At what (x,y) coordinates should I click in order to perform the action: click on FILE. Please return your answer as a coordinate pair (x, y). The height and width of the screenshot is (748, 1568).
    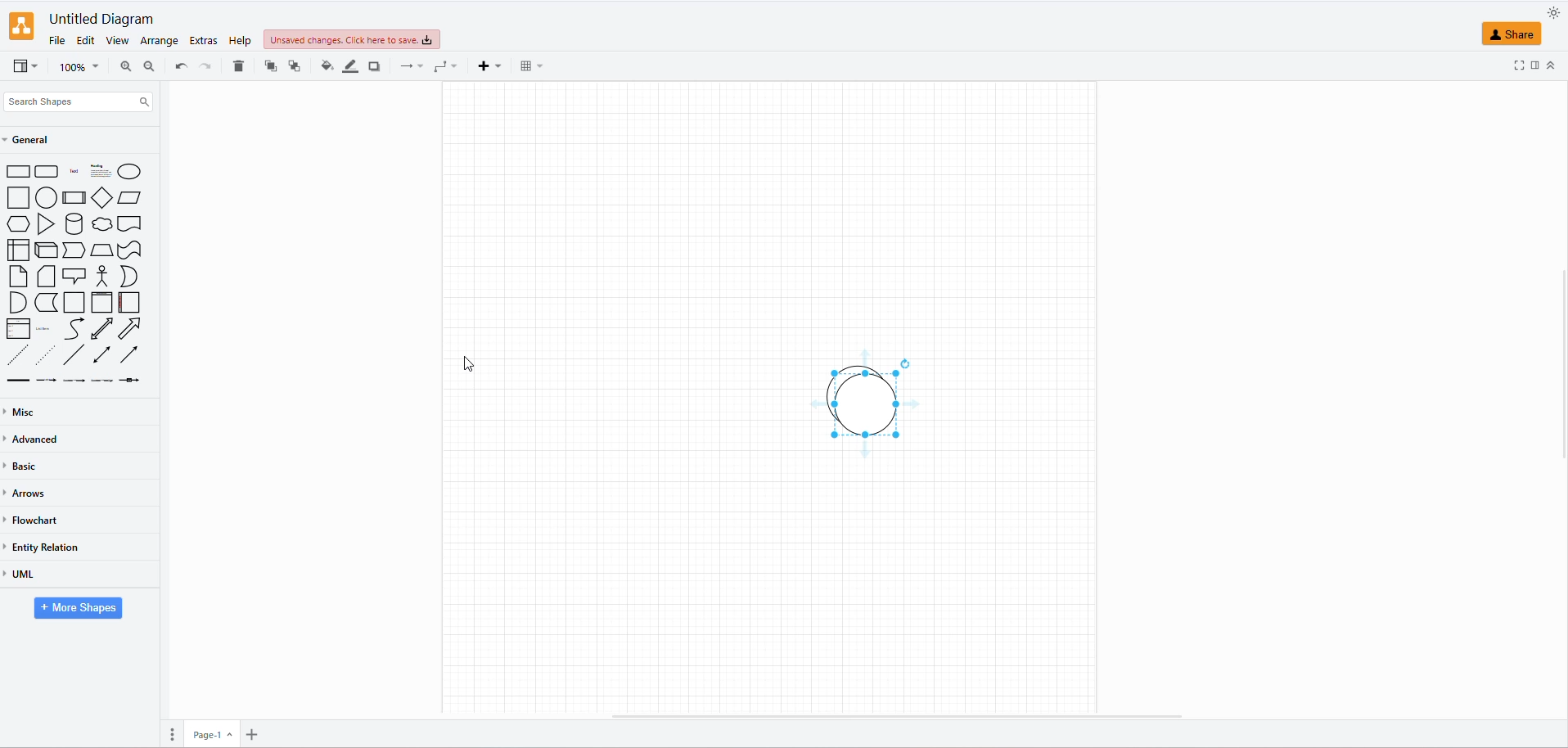
    Looking at the image, I should click on (54, 40).